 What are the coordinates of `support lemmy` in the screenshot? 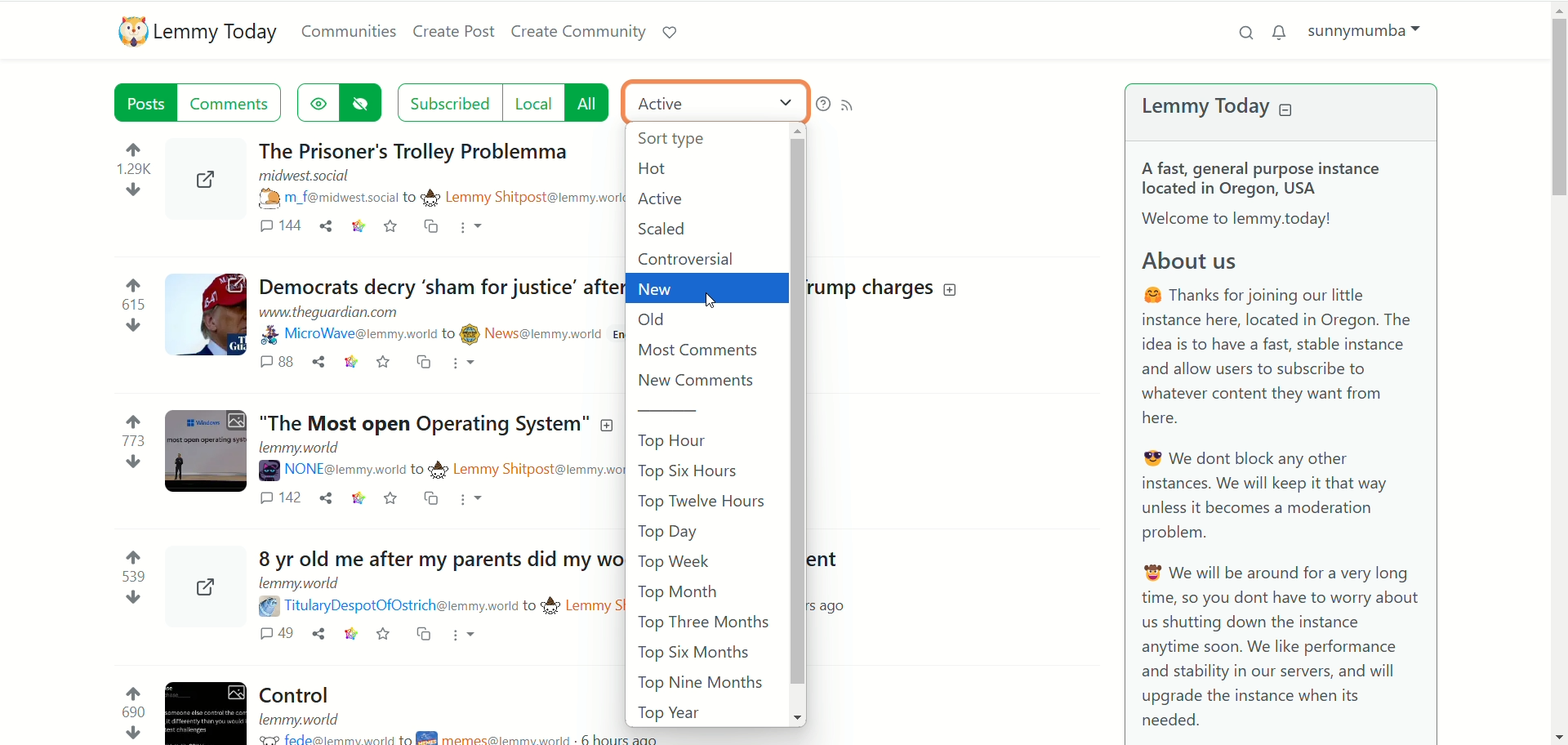 It's located at (670, 33).